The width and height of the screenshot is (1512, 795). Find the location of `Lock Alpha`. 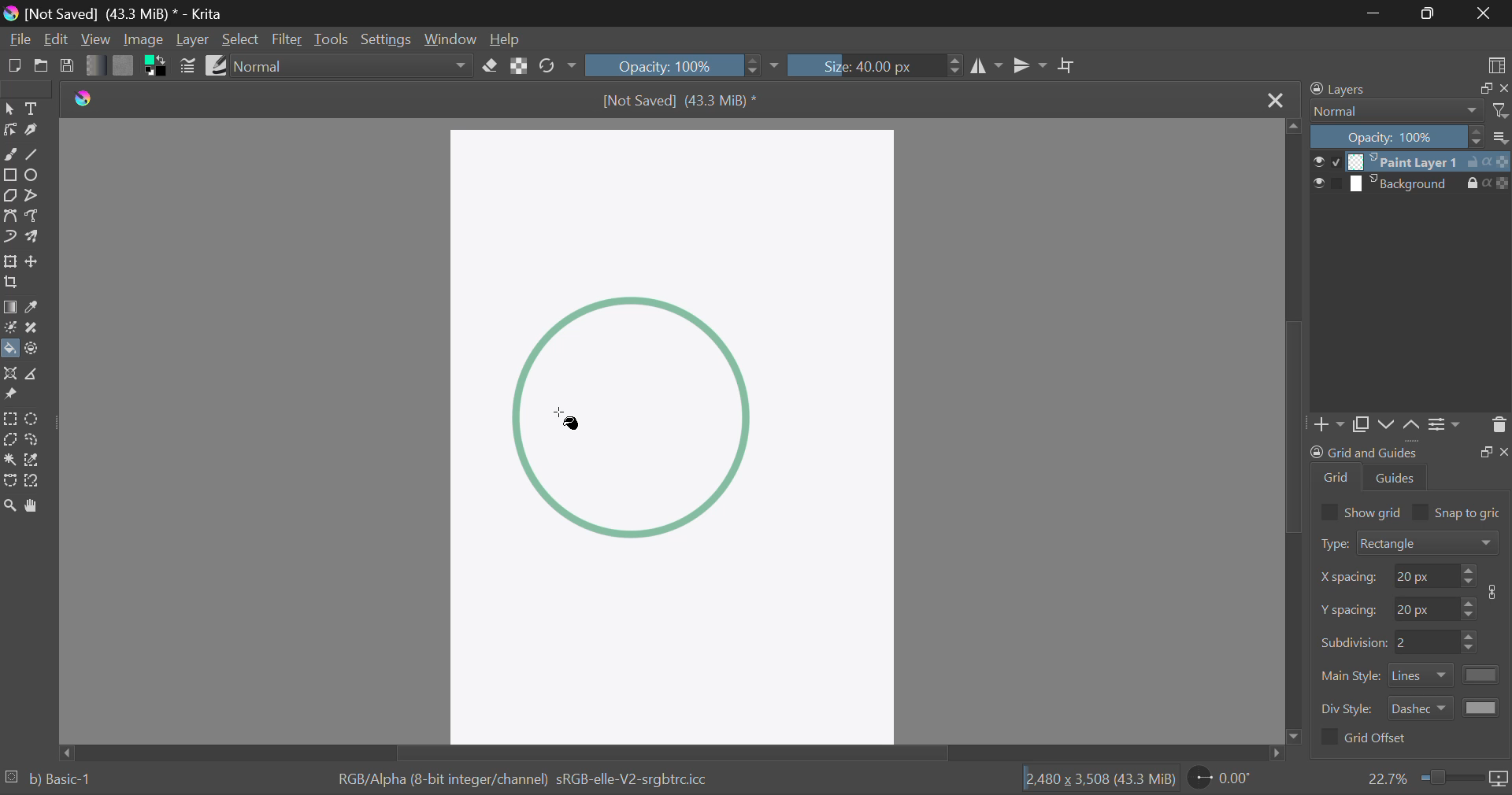

Lock Alpha is located at coordinates (520, 68).